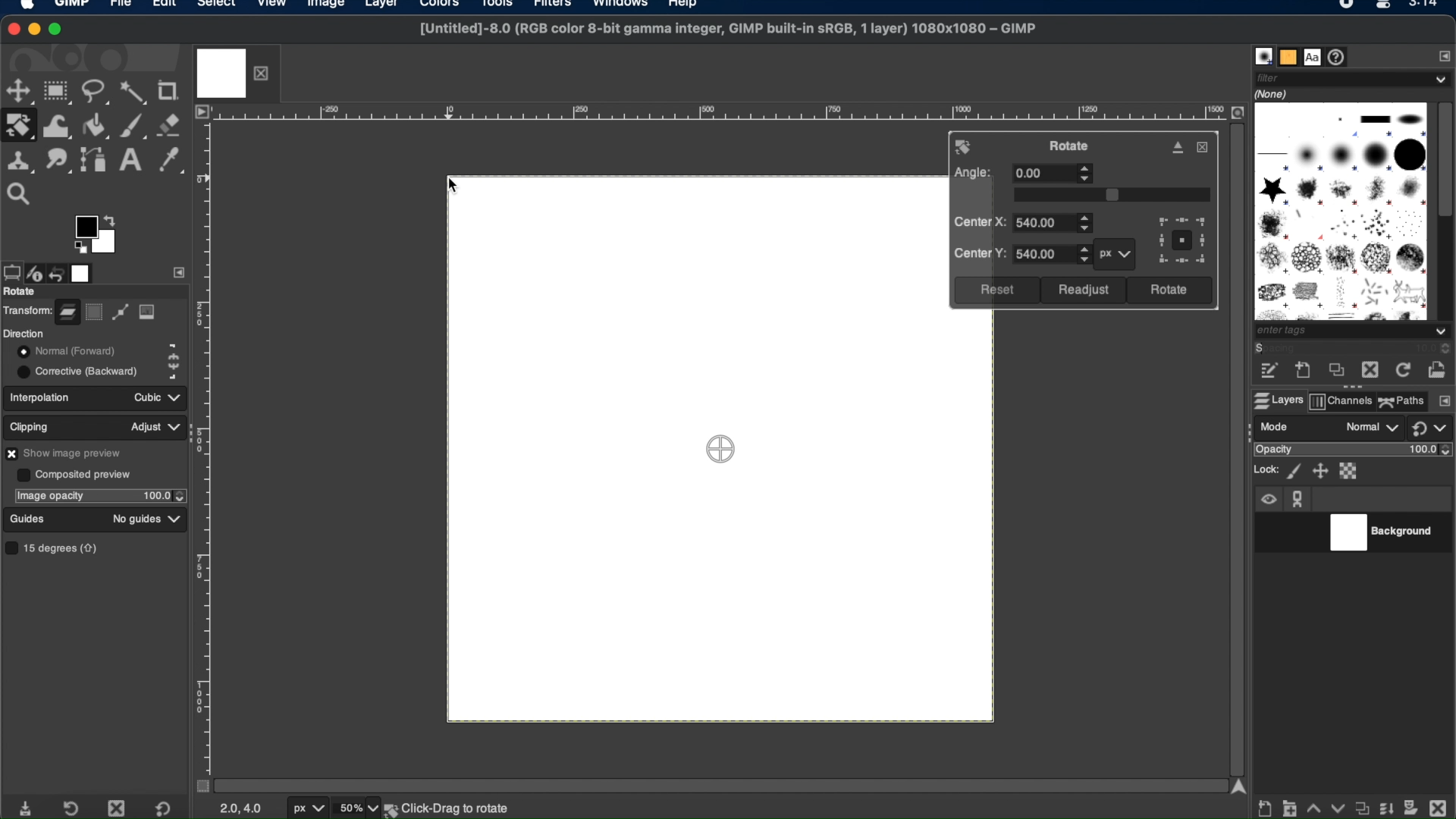  Describe the element at coordinates (310, 809) in the screenshot. I see `units of measurement` at that location.